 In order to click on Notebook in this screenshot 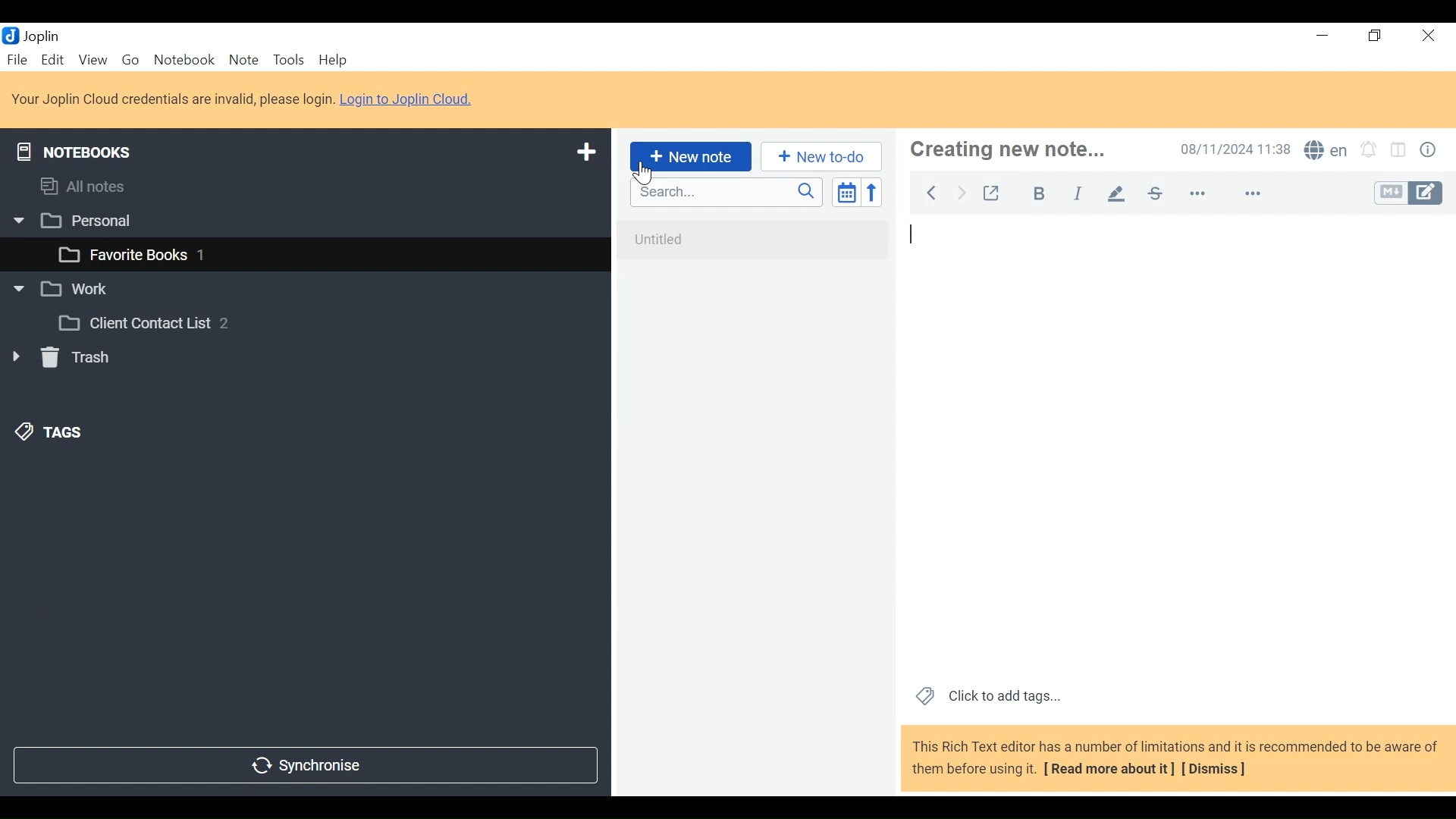, I will do `click(184, 61)`.